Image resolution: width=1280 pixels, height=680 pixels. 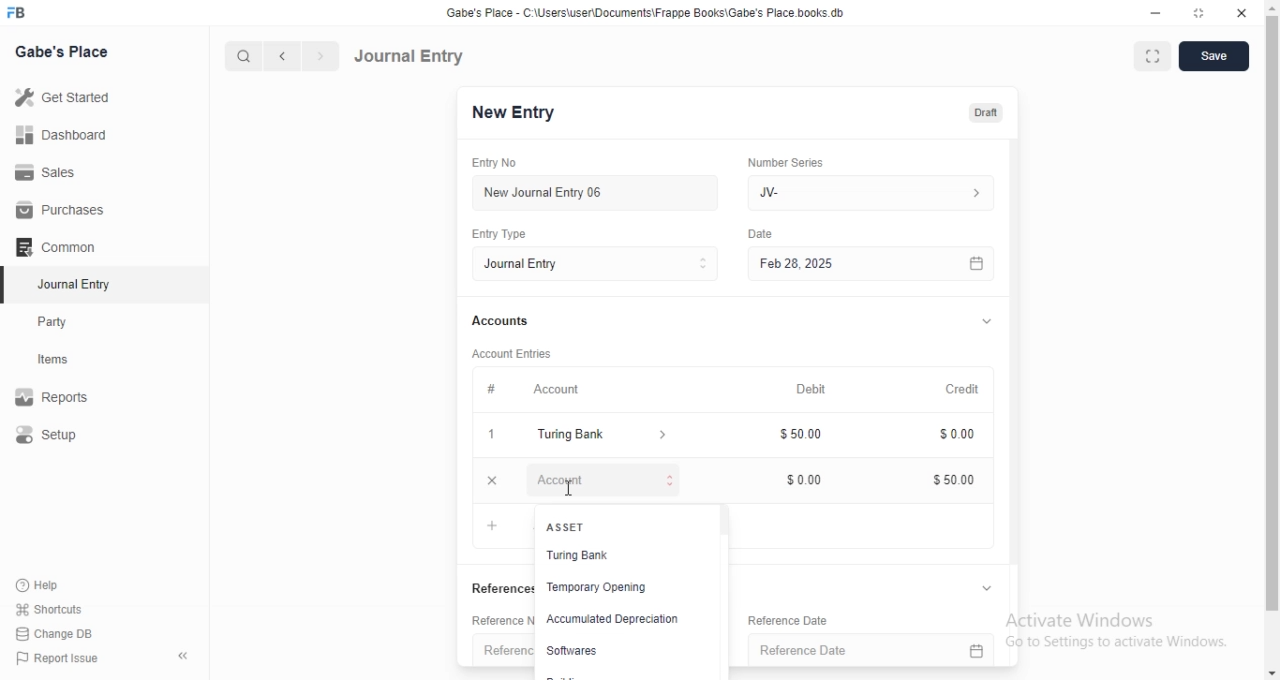 I want to click on close, so click(x=1242, y=14).